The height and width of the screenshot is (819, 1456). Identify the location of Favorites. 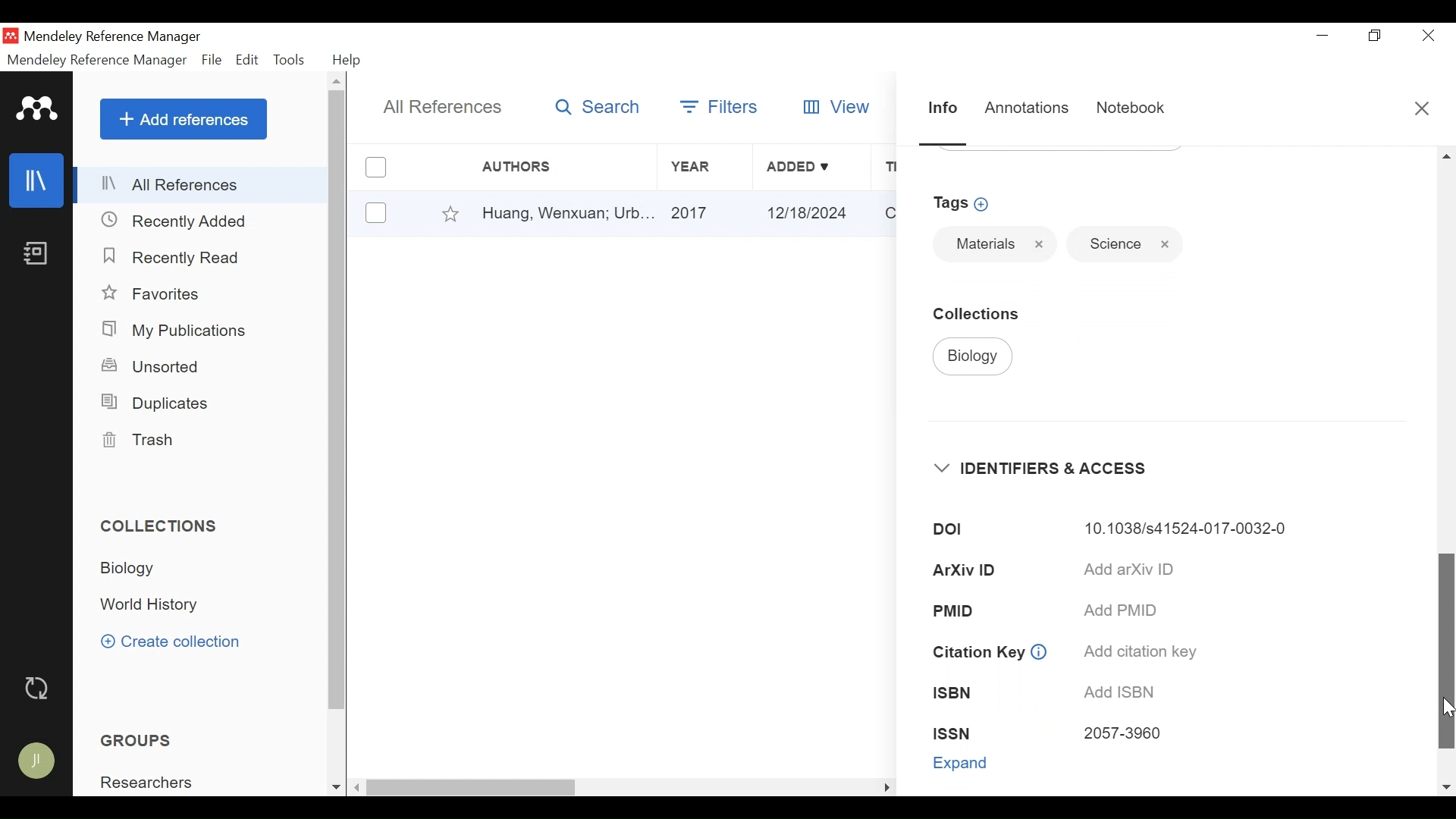
(155, 294).